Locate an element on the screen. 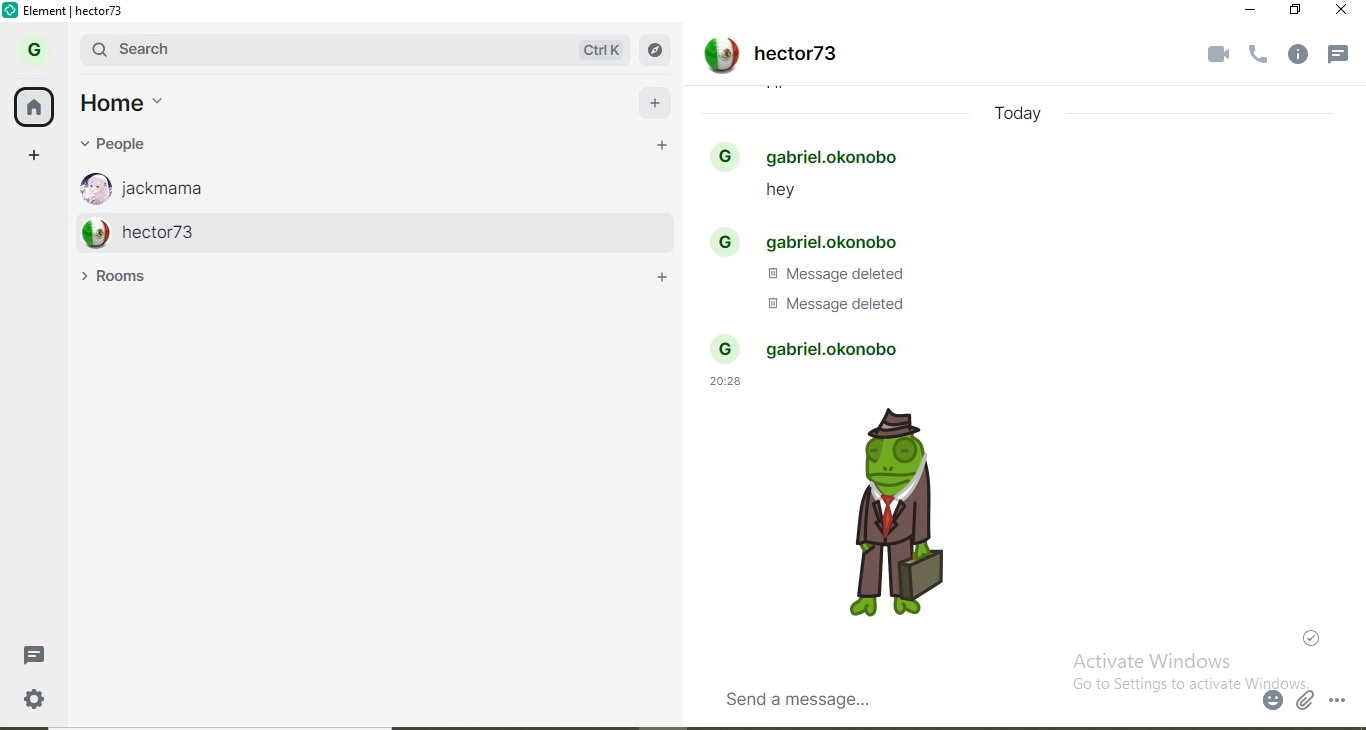  add people is located at coordinates (662, 147).